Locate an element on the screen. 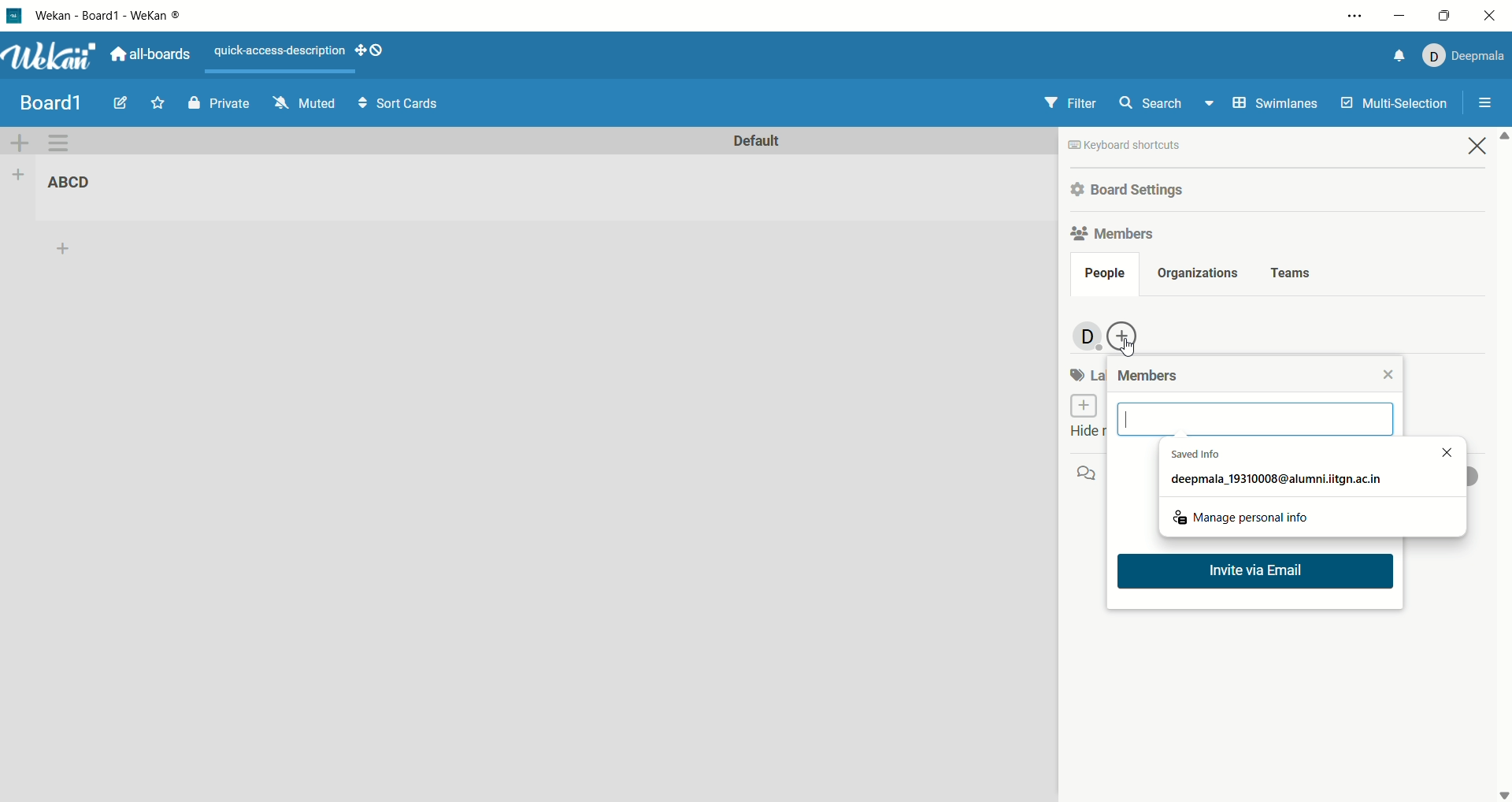  notification is located at coordinates (1401, 56).